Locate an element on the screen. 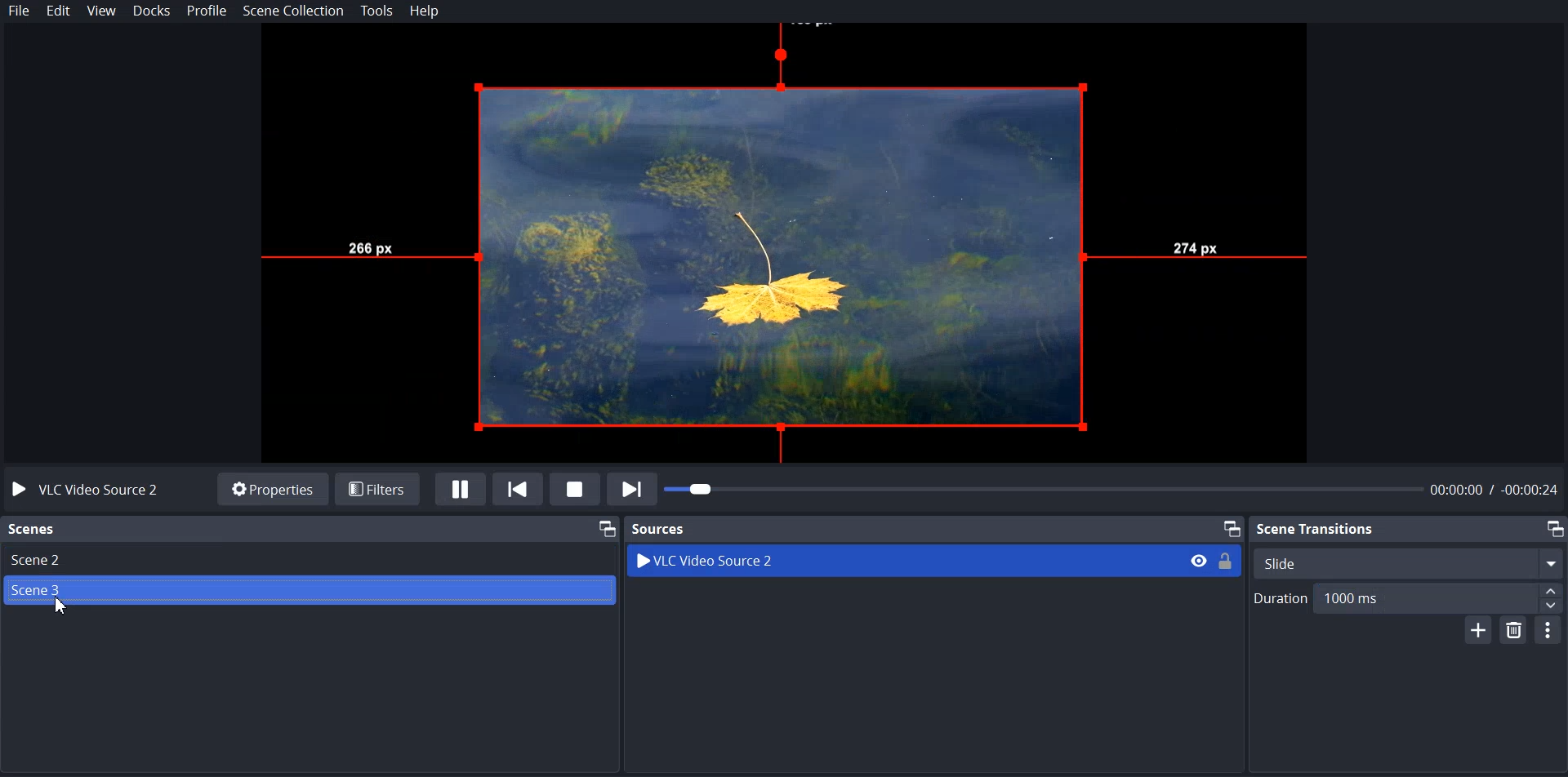 This screenshot has height=777, width=1568. Scene transition is located at coordinates (1409, 527).